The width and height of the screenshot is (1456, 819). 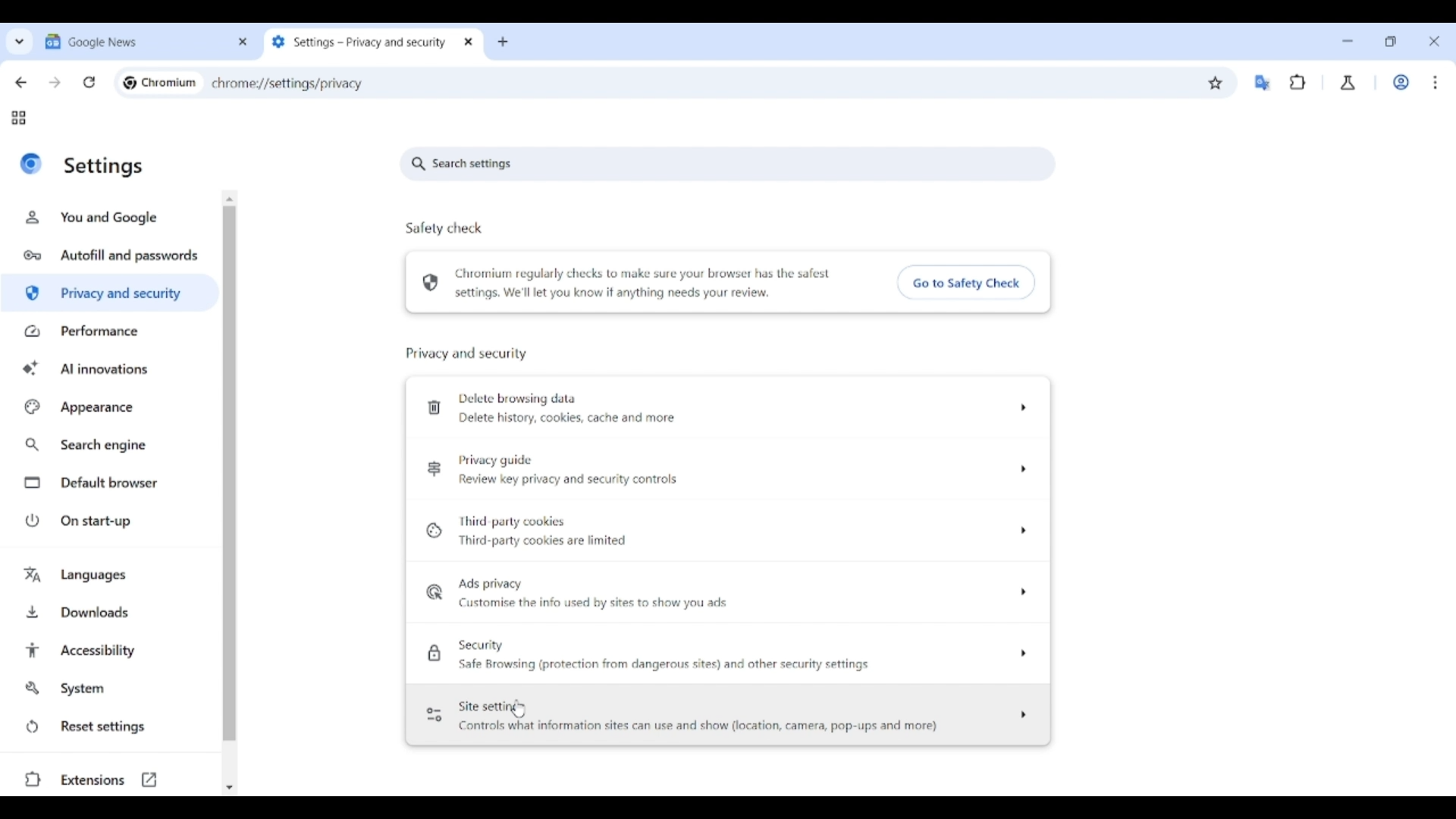 What do you see at coordinates (111, 445) in the screenshot?
I see `Search engine` at bounding box center [111, 445].